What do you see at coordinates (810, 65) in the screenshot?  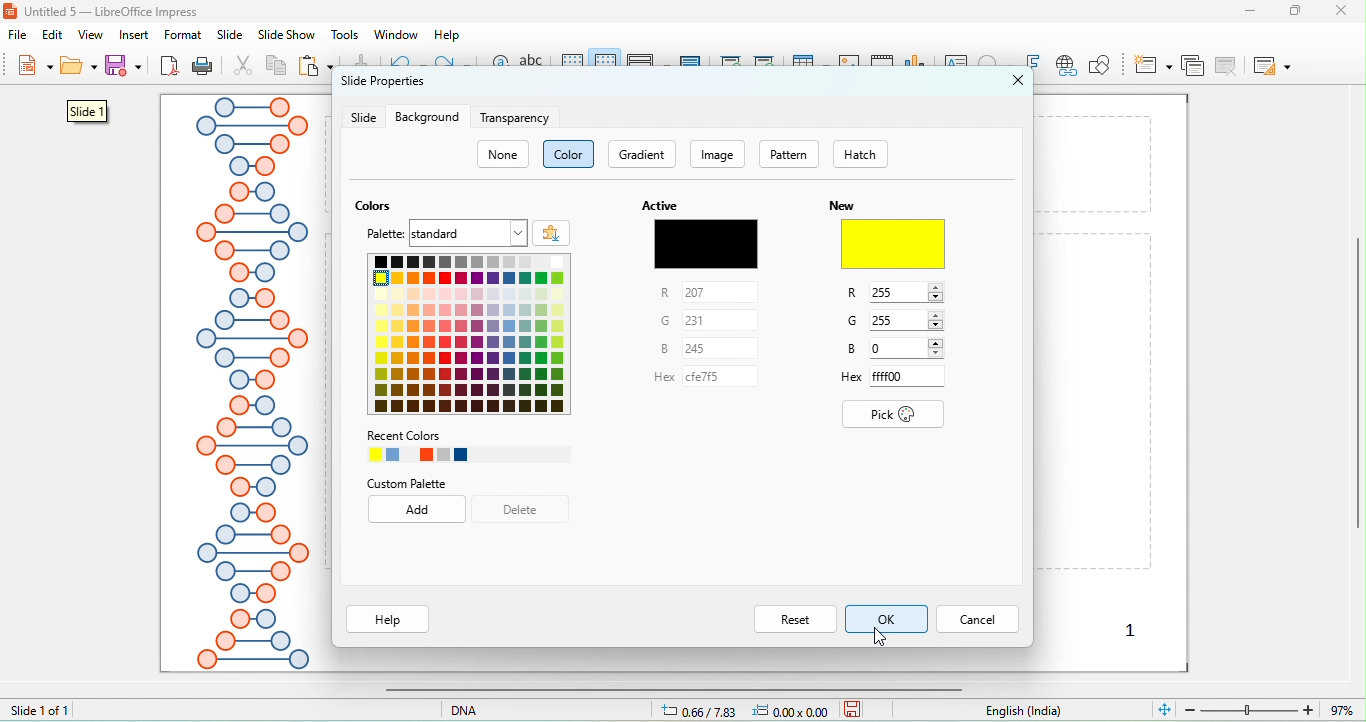 I see `table` at bounding box center [810, 65].